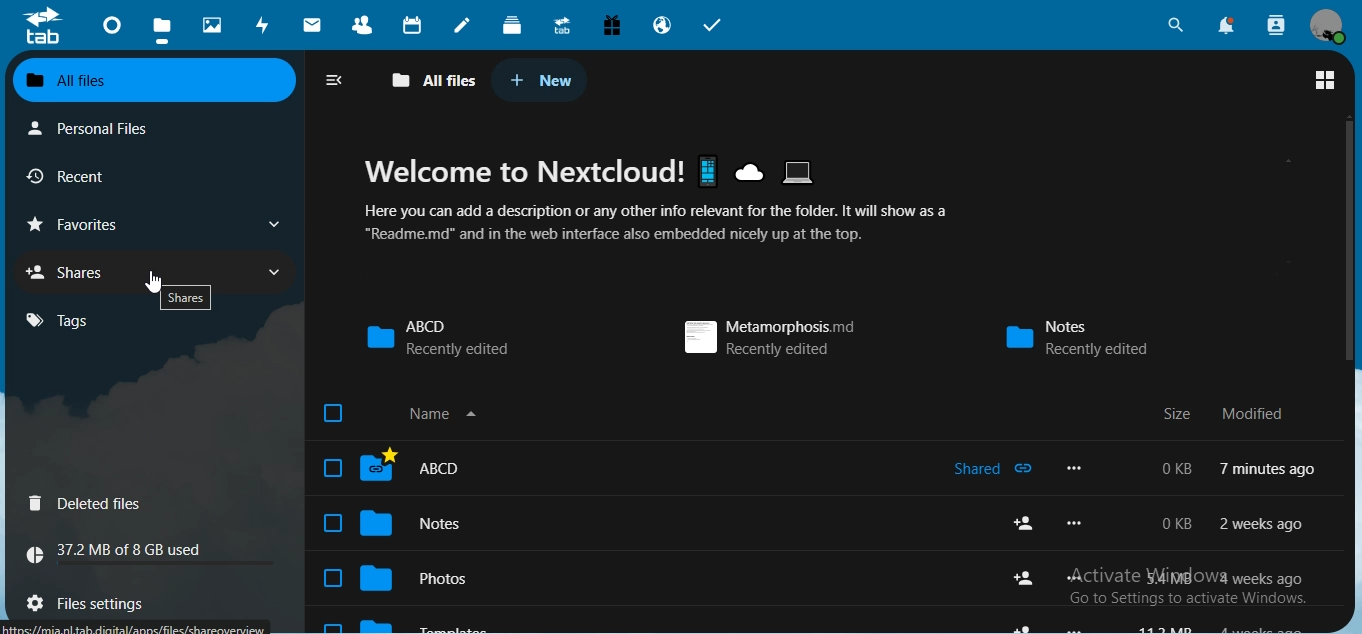  What do you see at coordinates (1074, 468) in the screenshot?
I see `more optons` at bounding box center [1074, 468].